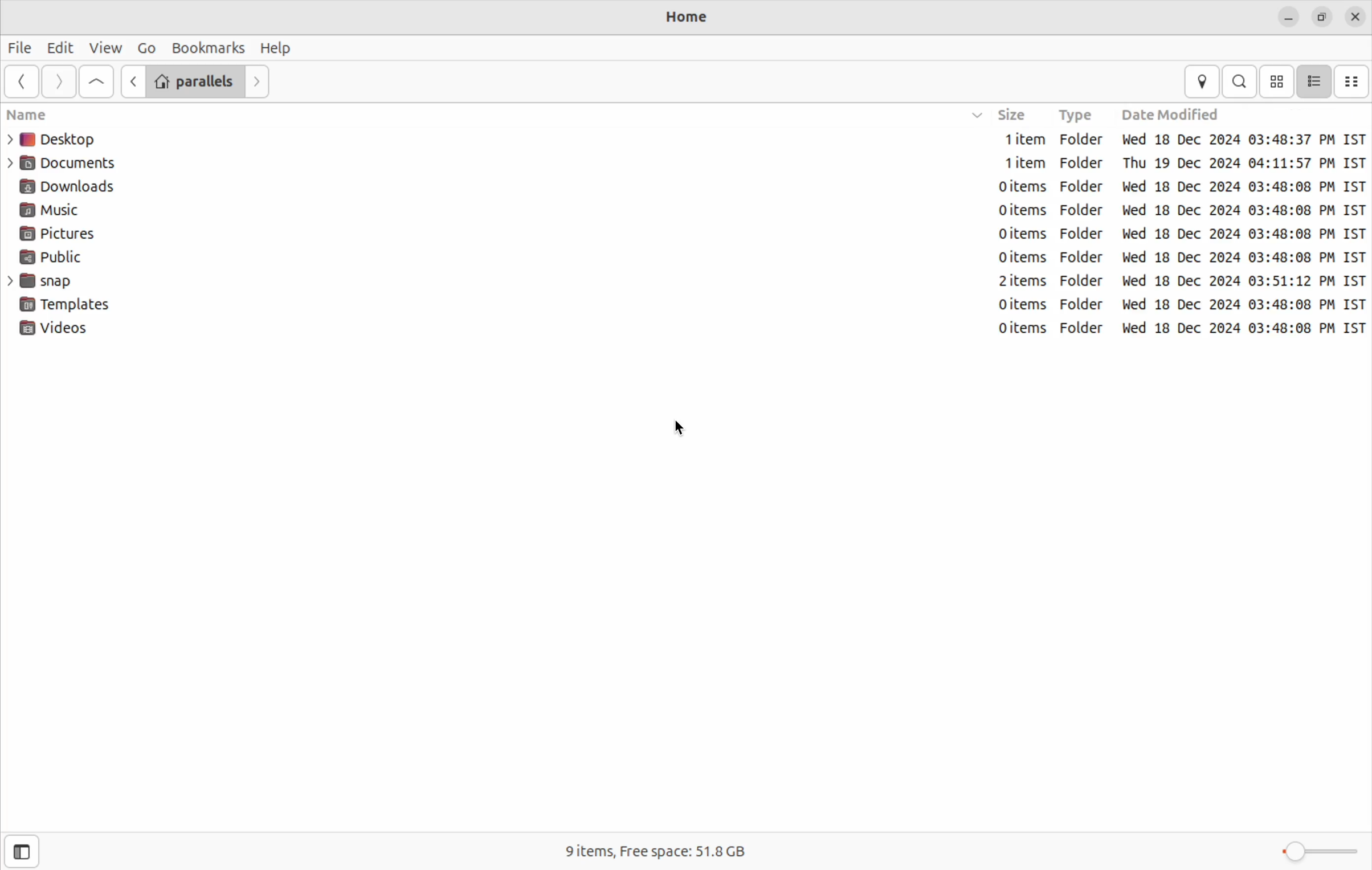  I want to click on Folder, so click(1083, 329).